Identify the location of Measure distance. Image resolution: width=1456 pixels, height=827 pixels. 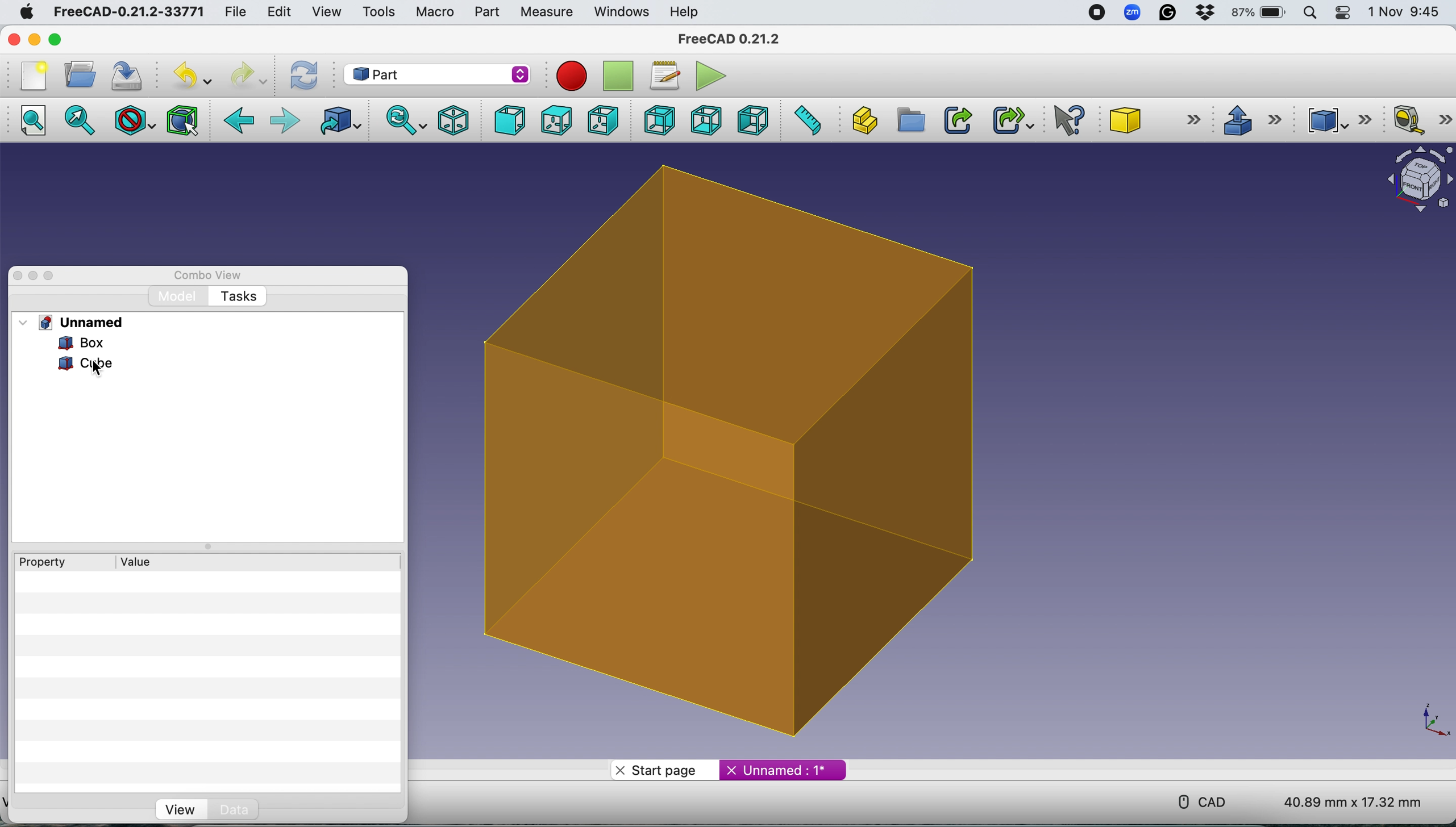
(806, 119).